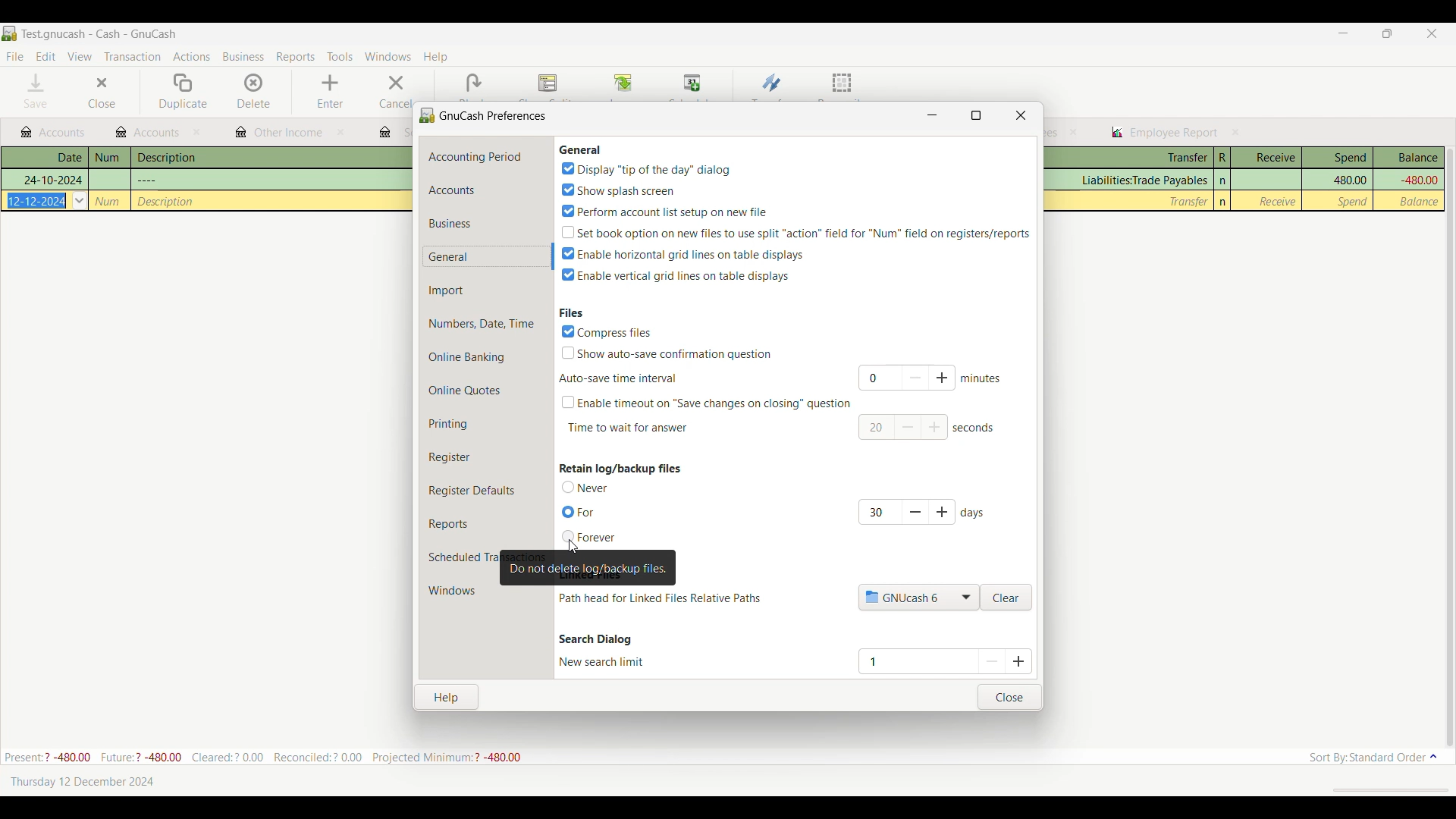 This screenshot has width=1456, height=819. Describe the element at coordinates (912, 661) in the screenshot. I see `Click to type in number` at that location.